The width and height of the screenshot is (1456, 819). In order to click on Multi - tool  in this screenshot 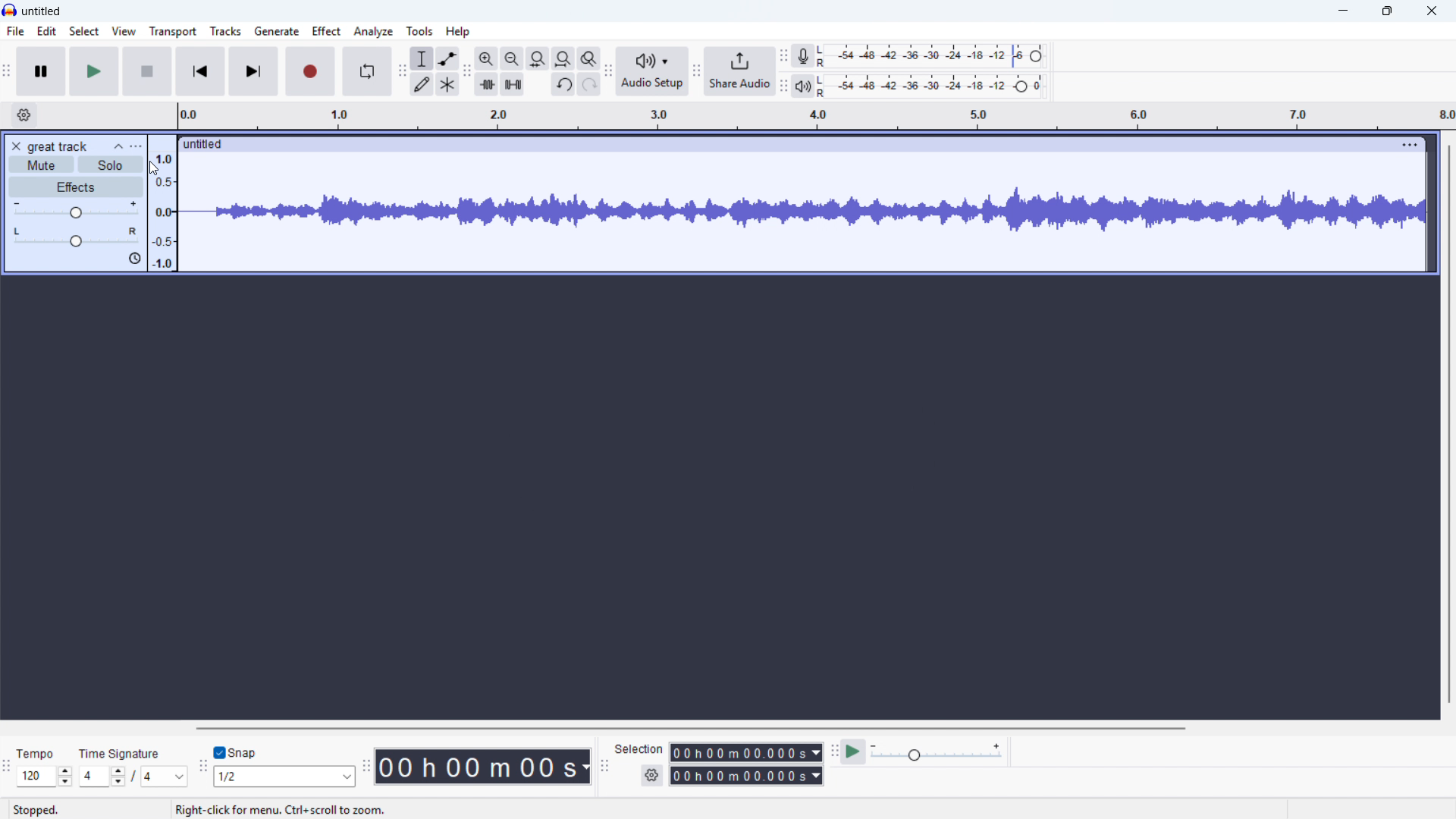, I will do `click(448, 84)`.